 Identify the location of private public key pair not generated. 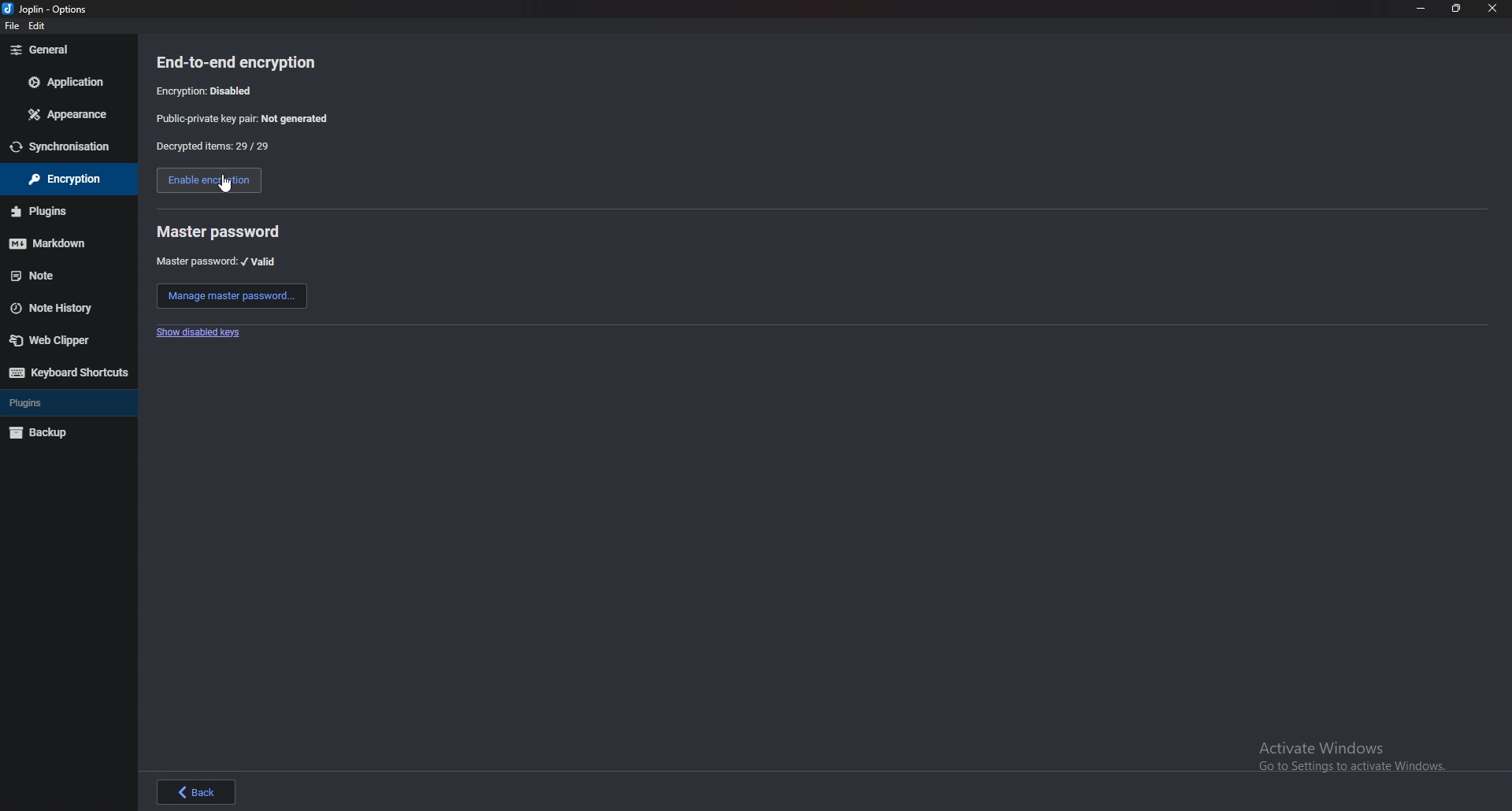
(245, 120).